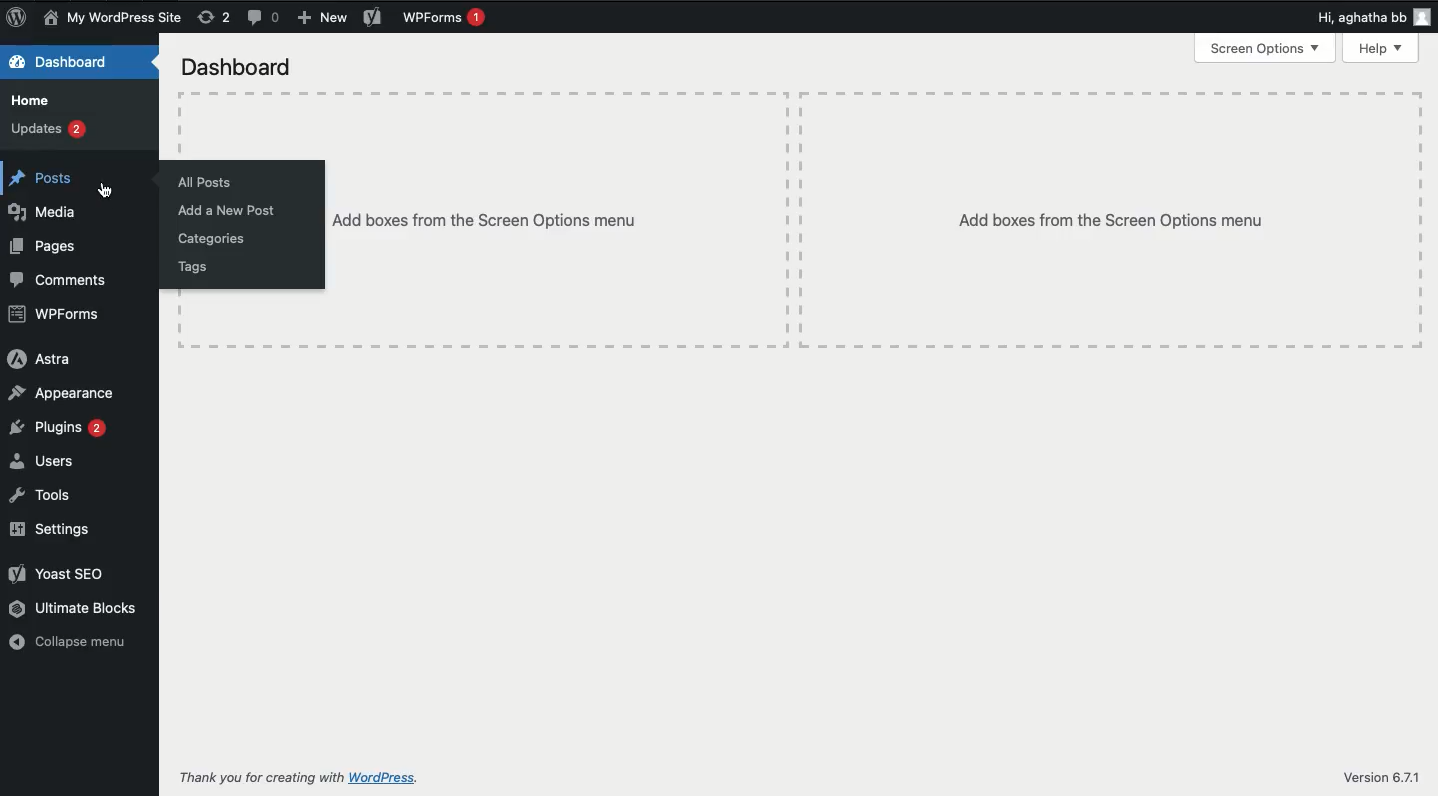 The width and height of the screenshot is (1438, 796). What do you see at coordinates (204, 185) in the screenshot?
I see `All posts` at bounding box center [204, 185].